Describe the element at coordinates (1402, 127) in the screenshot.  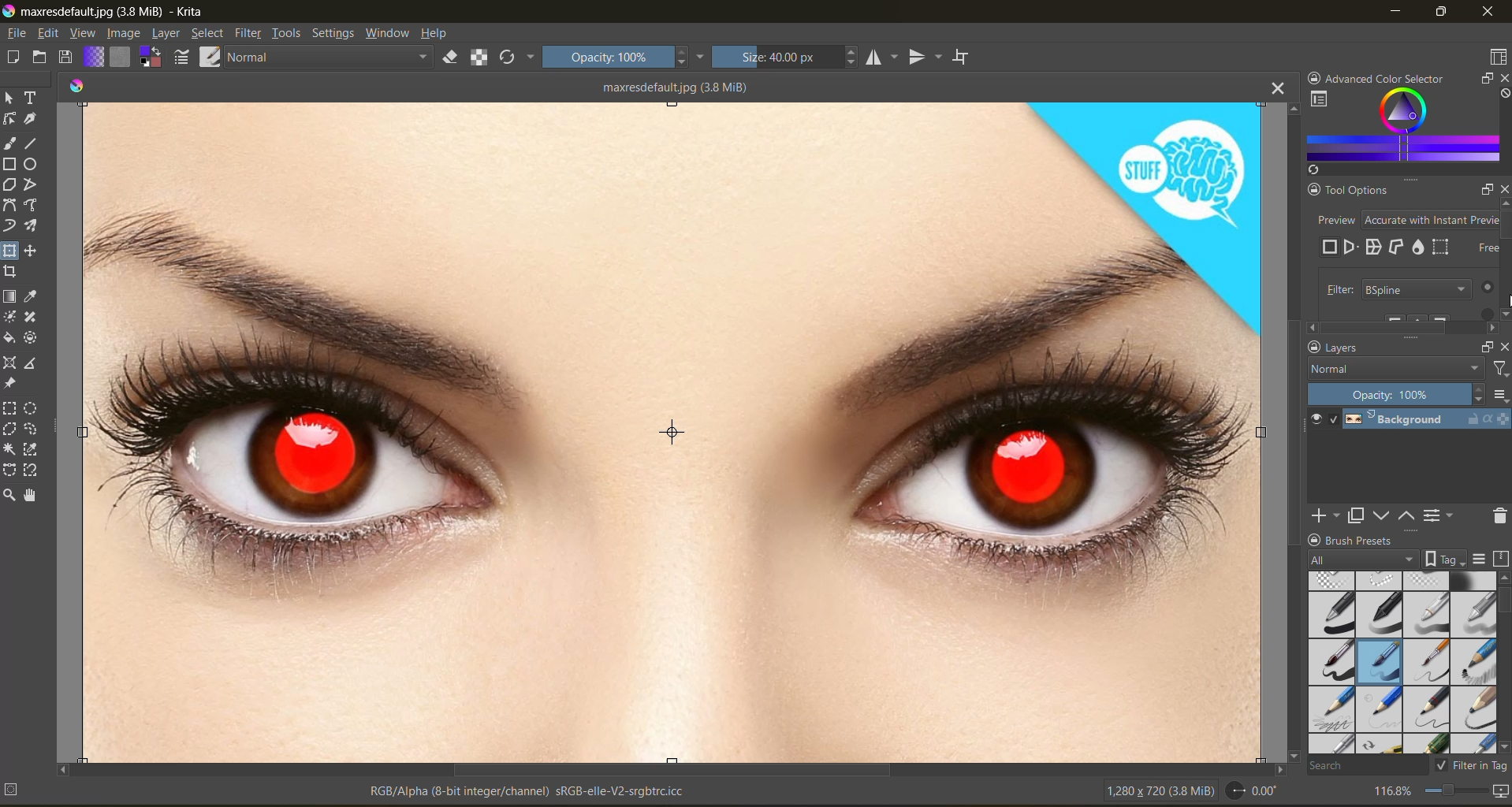
I see `advanced color selector` at that location.